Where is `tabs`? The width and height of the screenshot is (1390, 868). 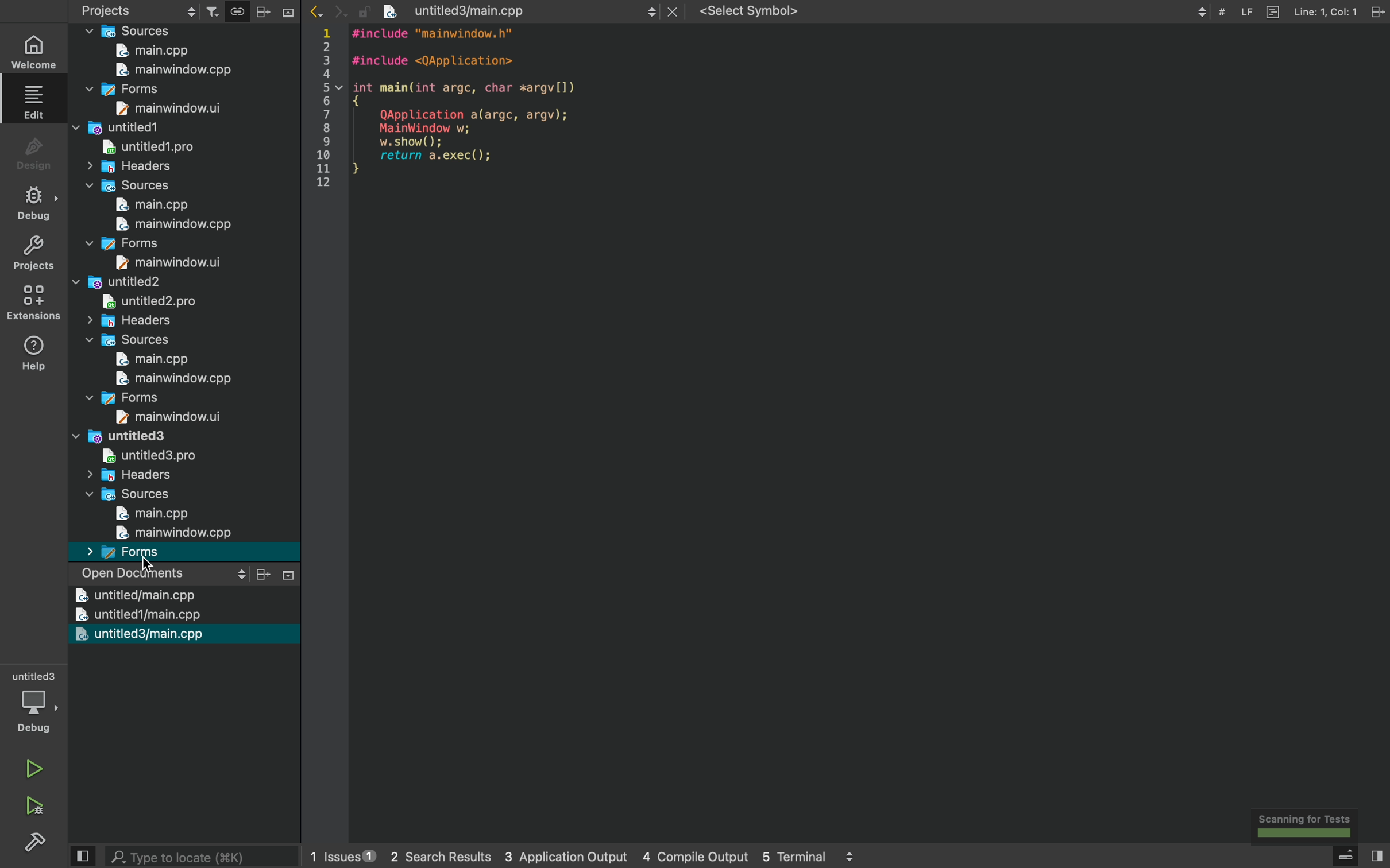
tabs is located at coordinates (652, 10).